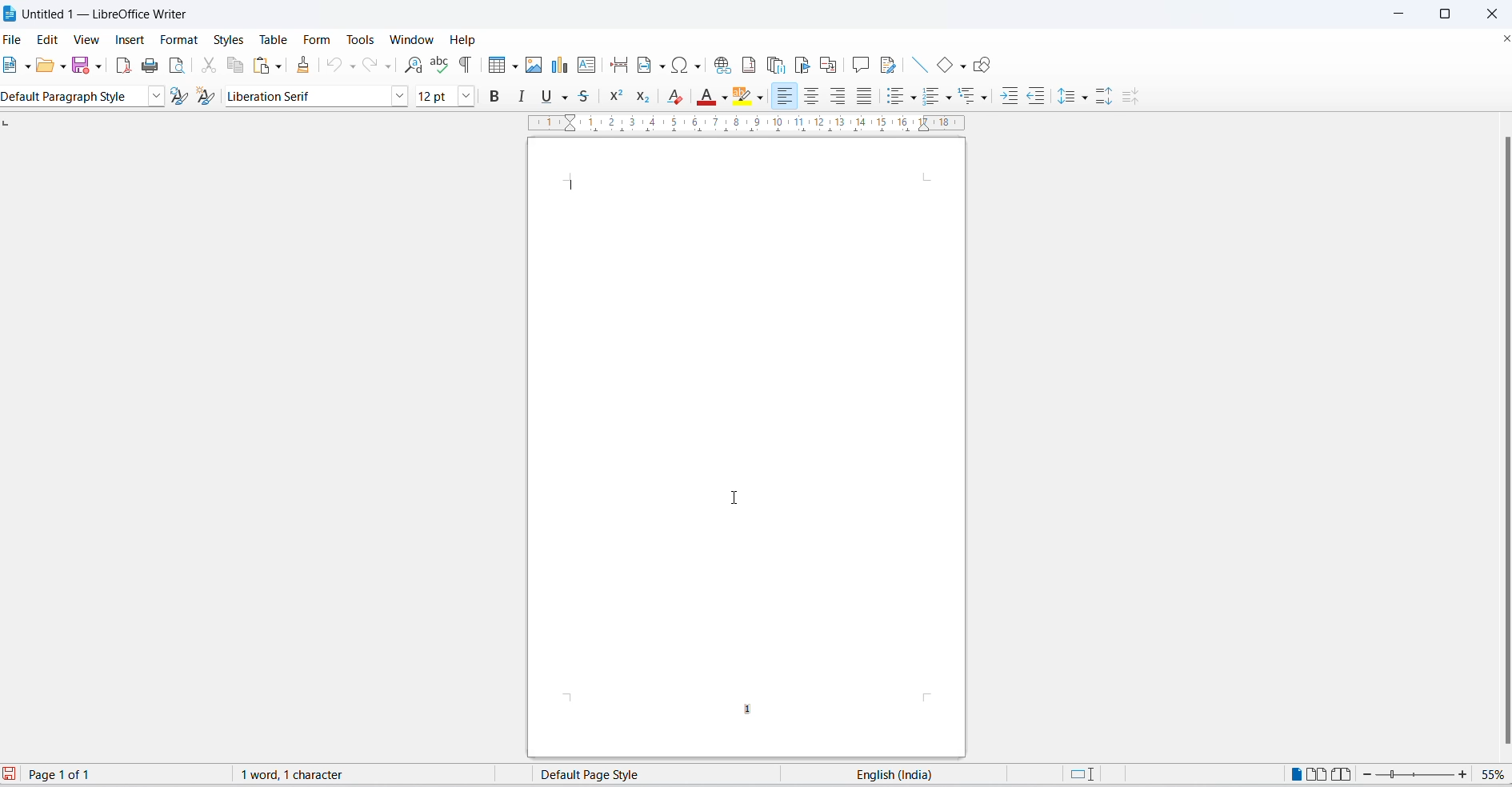 The image size is (1512, 787). I want to click on create new style from selection, so click(210, 97).